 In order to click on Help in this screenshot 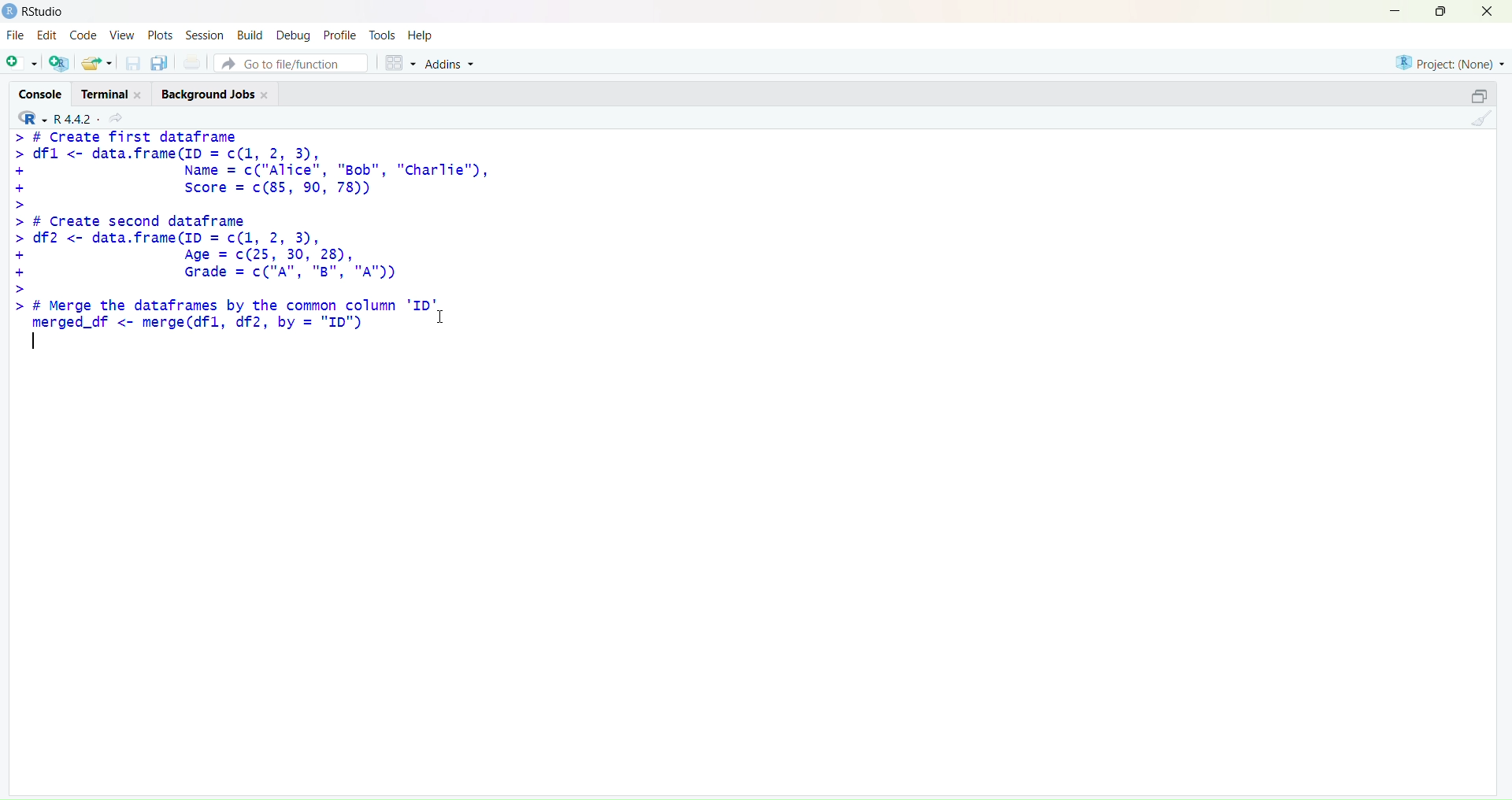, I will do `click(419, 35)`.